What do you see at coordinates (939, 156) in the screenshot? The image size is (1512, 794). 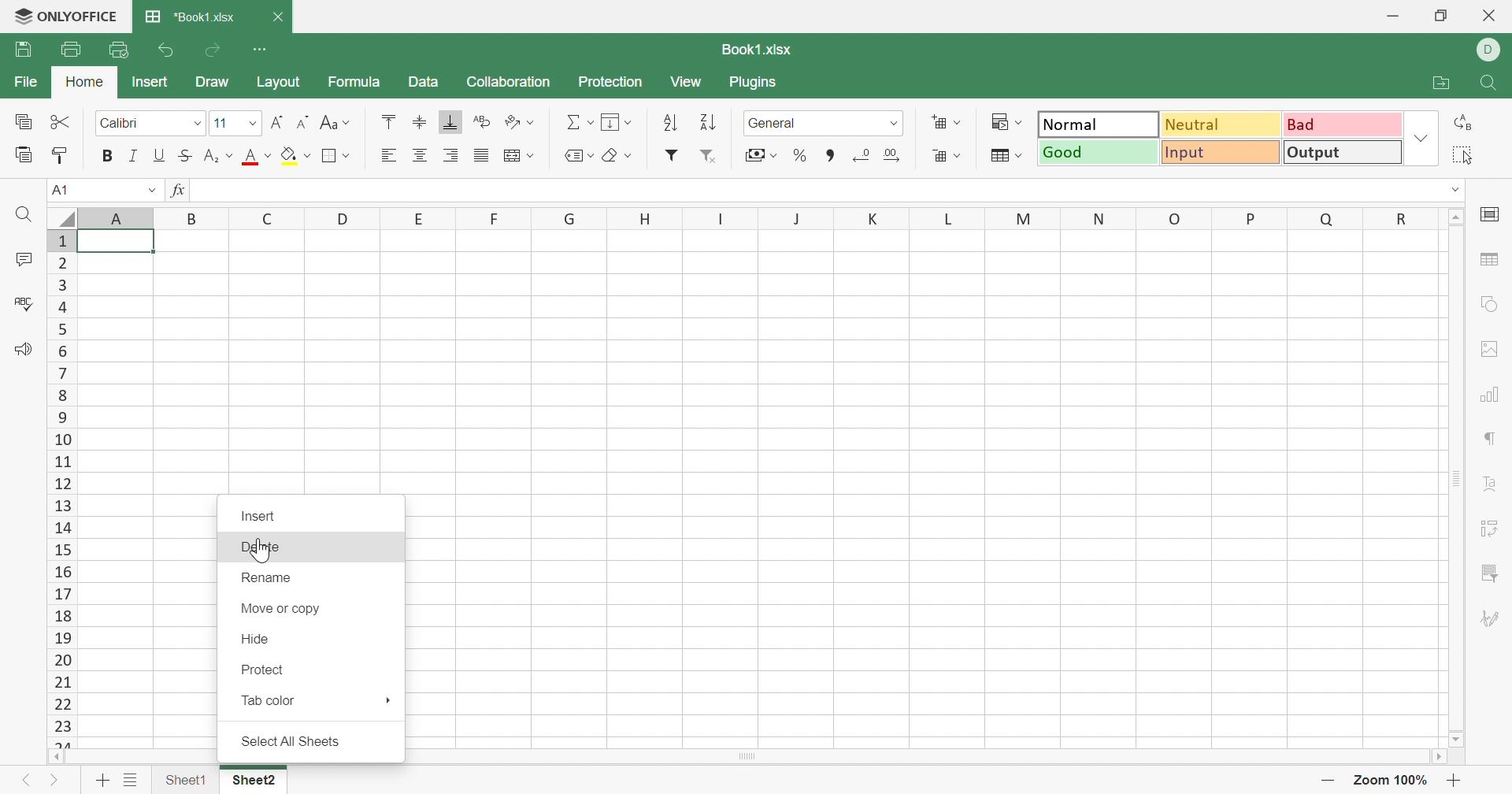 I see `Remove cells` at bounding box center [939, 156].